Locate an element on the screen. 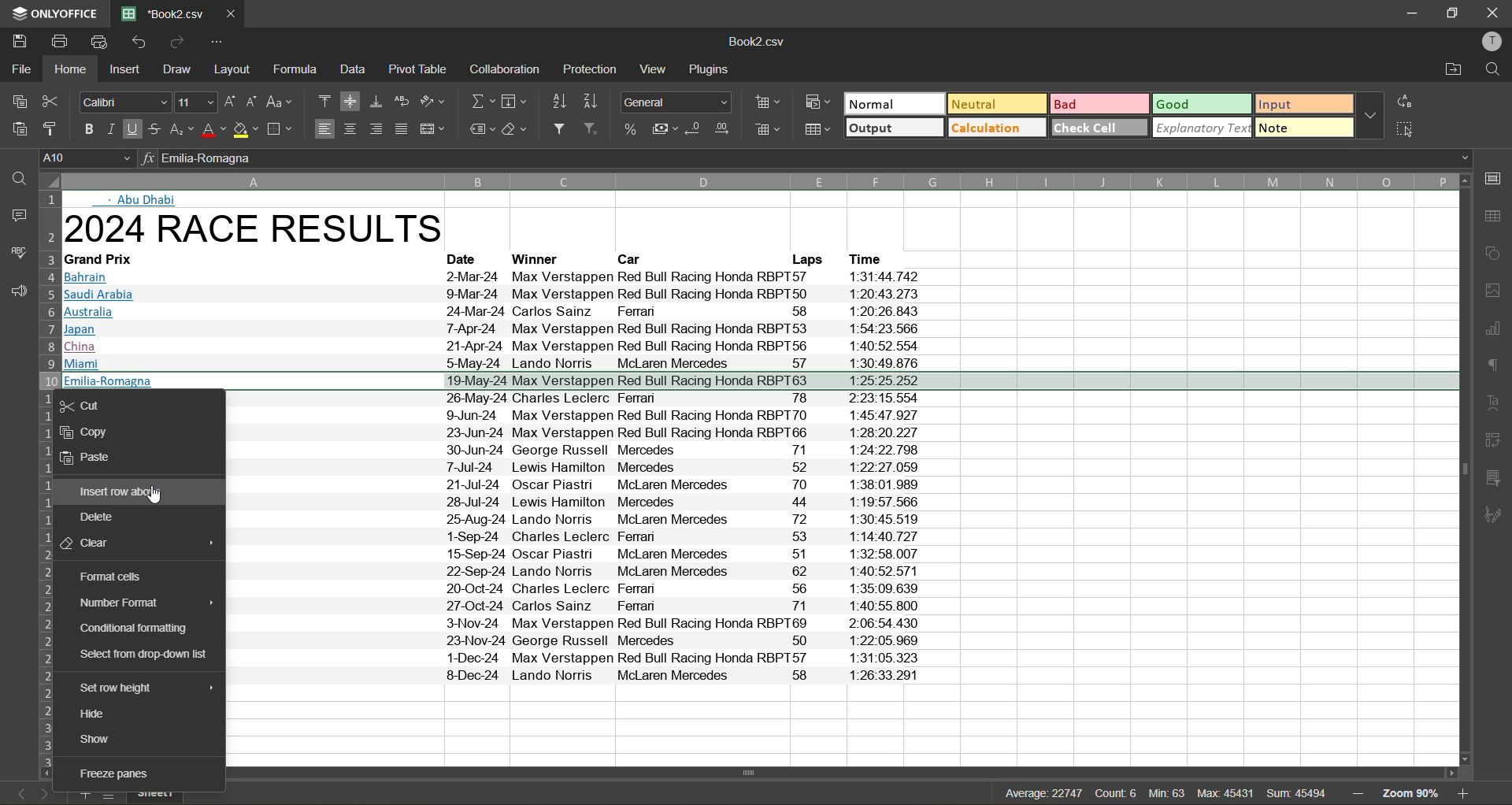 Image resolution: width=1512 pixels, height=805 pixels. ‘Winner is located at coordinates (535, 258).